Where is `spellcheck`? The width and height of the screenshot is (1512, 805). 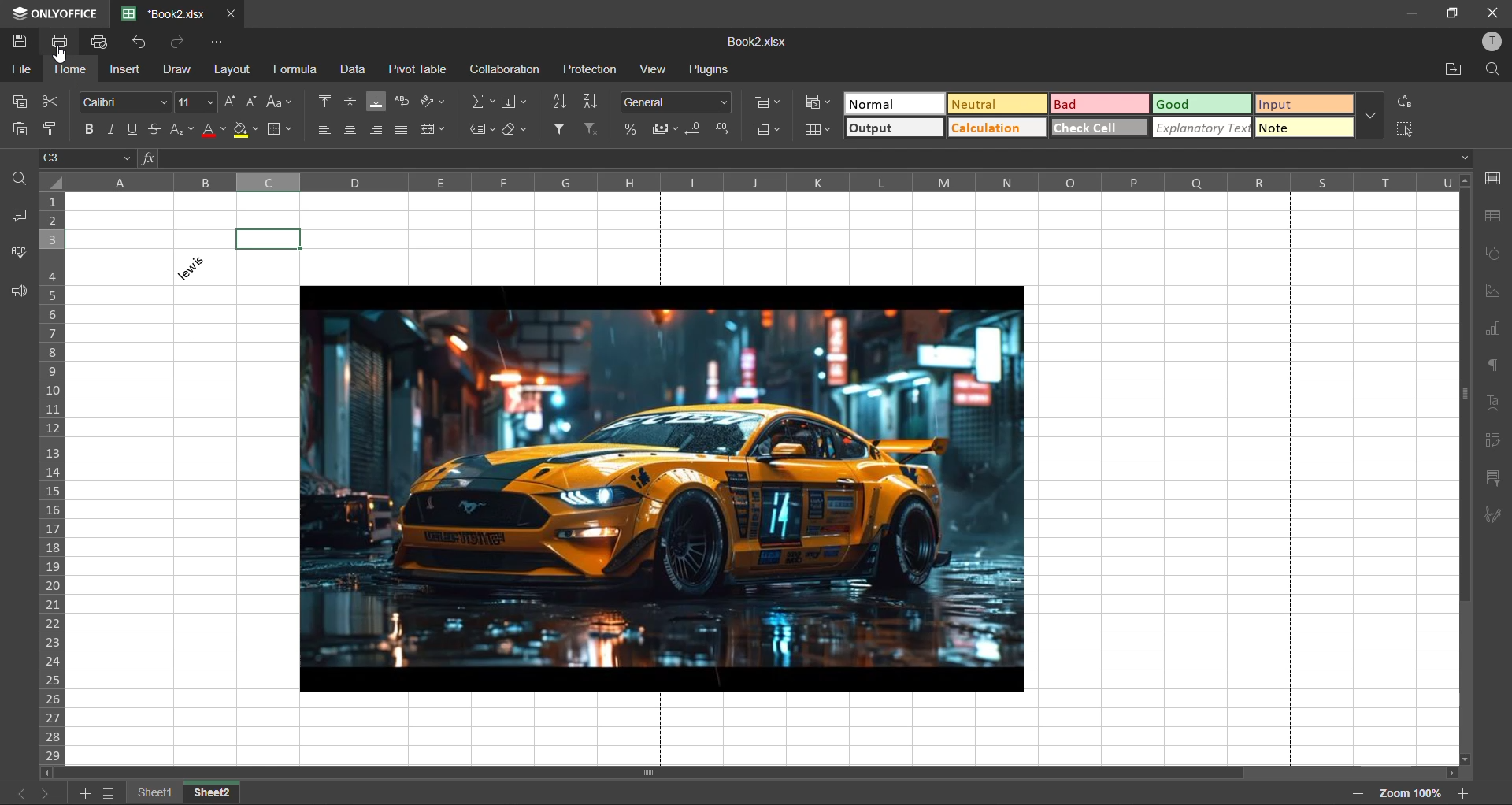
spellcheck is located at coordinates (14, 254).